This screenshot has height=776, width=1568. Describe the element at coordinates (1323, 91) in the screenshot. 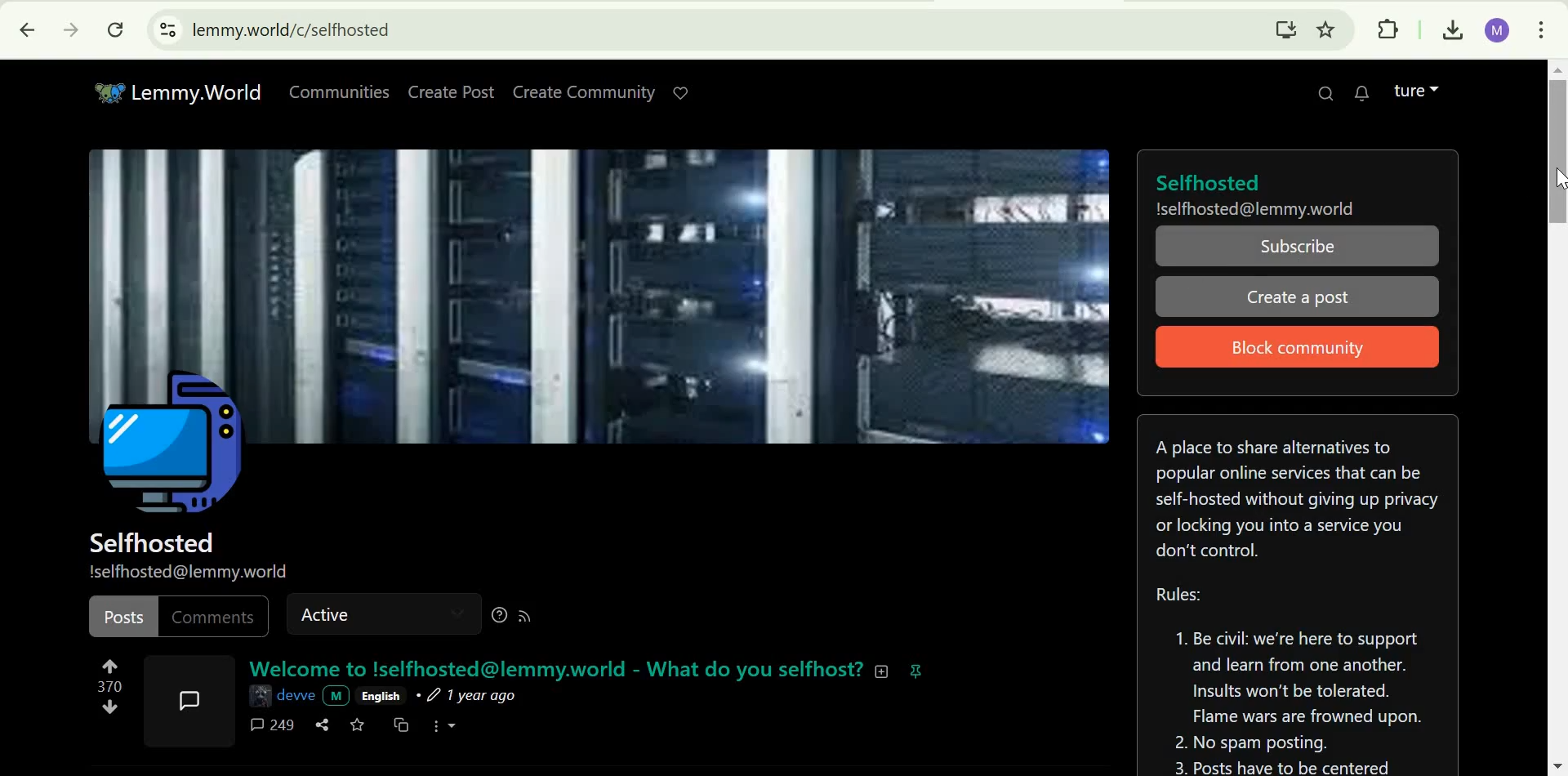

I see `search` at that location.